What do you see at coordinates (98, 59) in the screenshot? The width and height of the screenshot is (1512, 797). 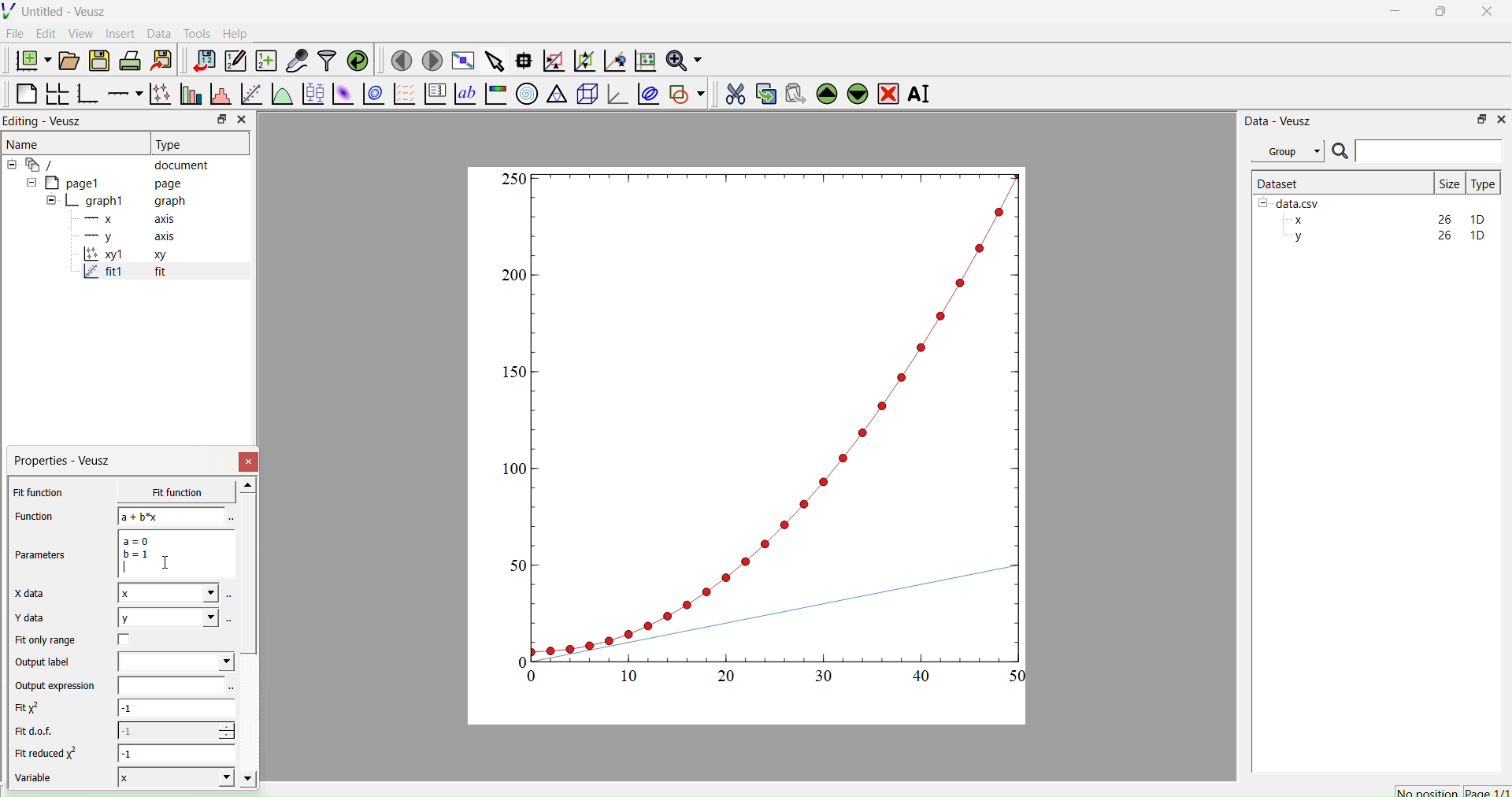 I see `Save` at bounding box center [98, 59].